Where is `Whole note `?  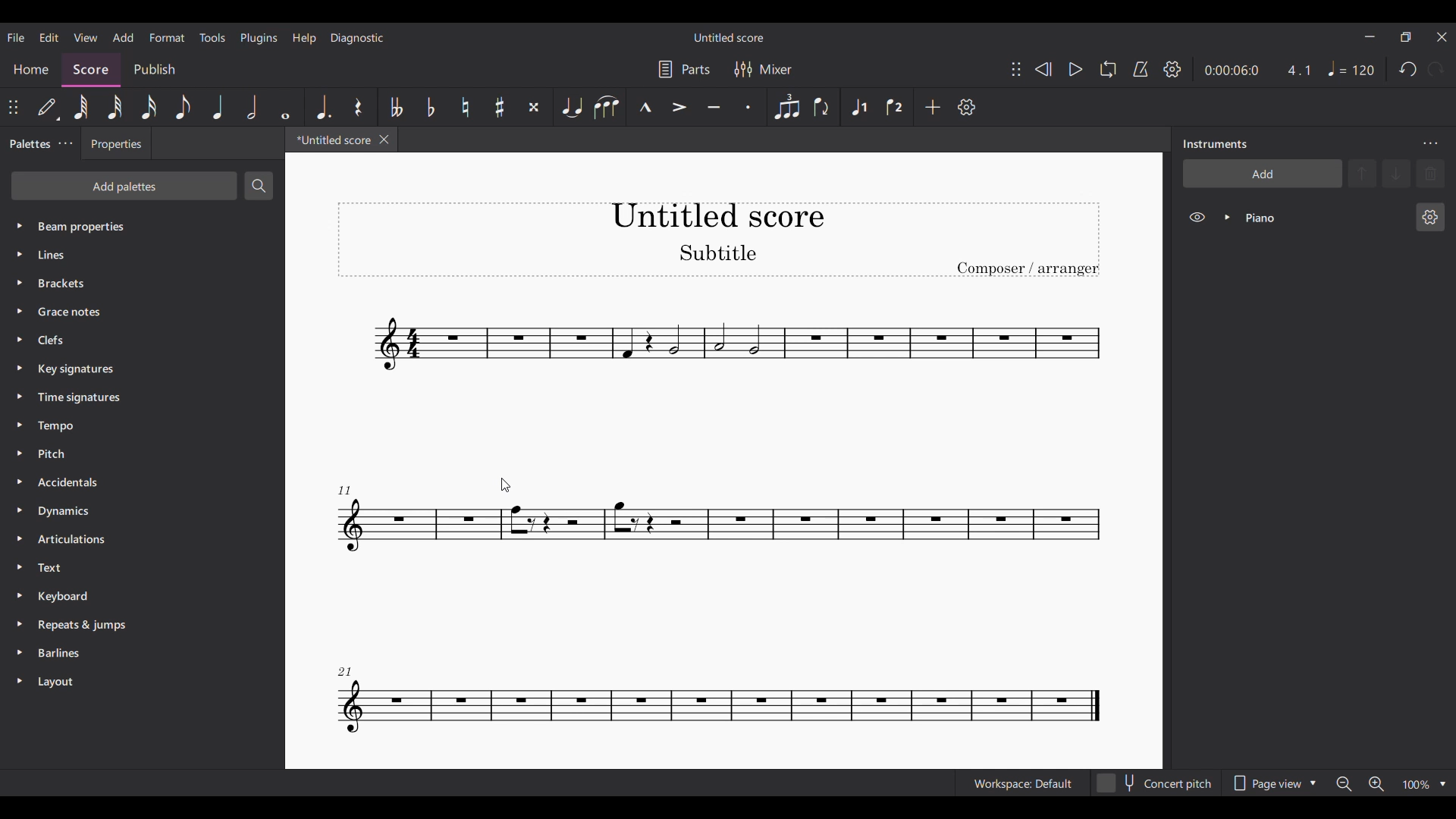
Whole note  is located at coordinates (285, 106).